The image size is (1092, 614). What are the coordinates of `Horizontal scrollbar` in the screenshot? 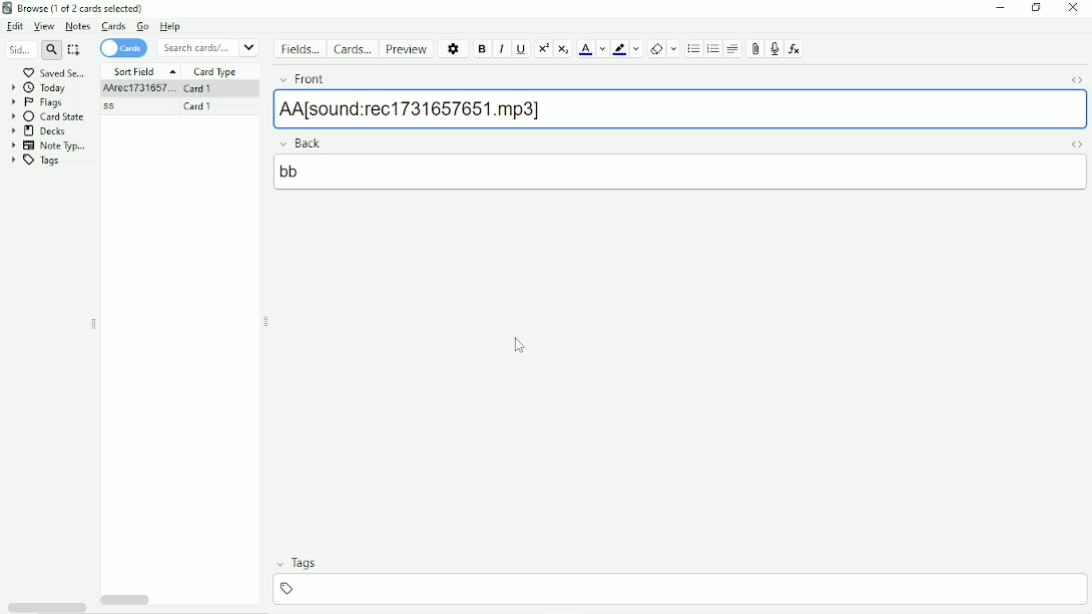 It's located at (126, 600).